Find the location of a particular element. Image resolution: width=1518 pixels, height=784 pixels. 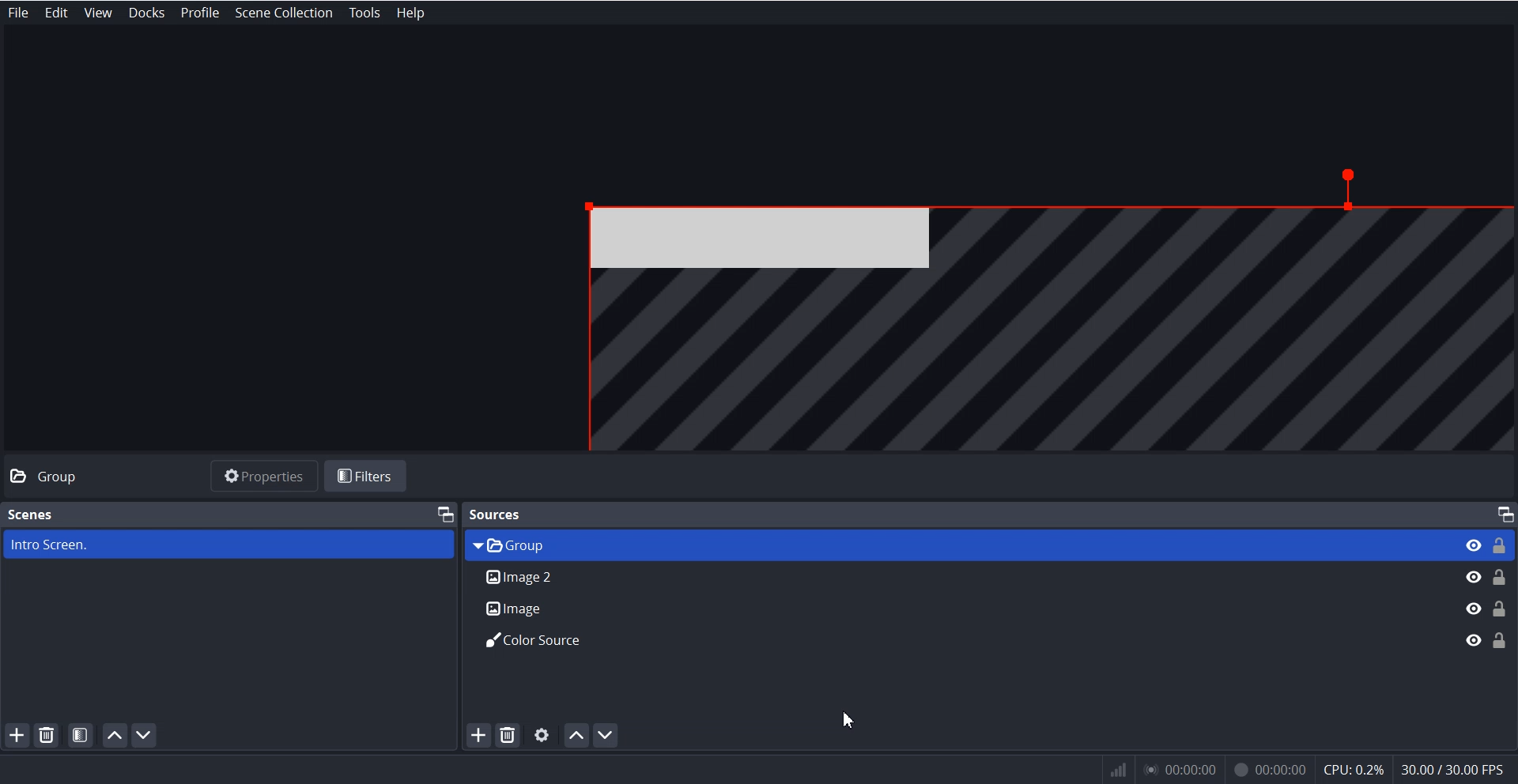

Move Scene Up is located at coordinates (115, 735).